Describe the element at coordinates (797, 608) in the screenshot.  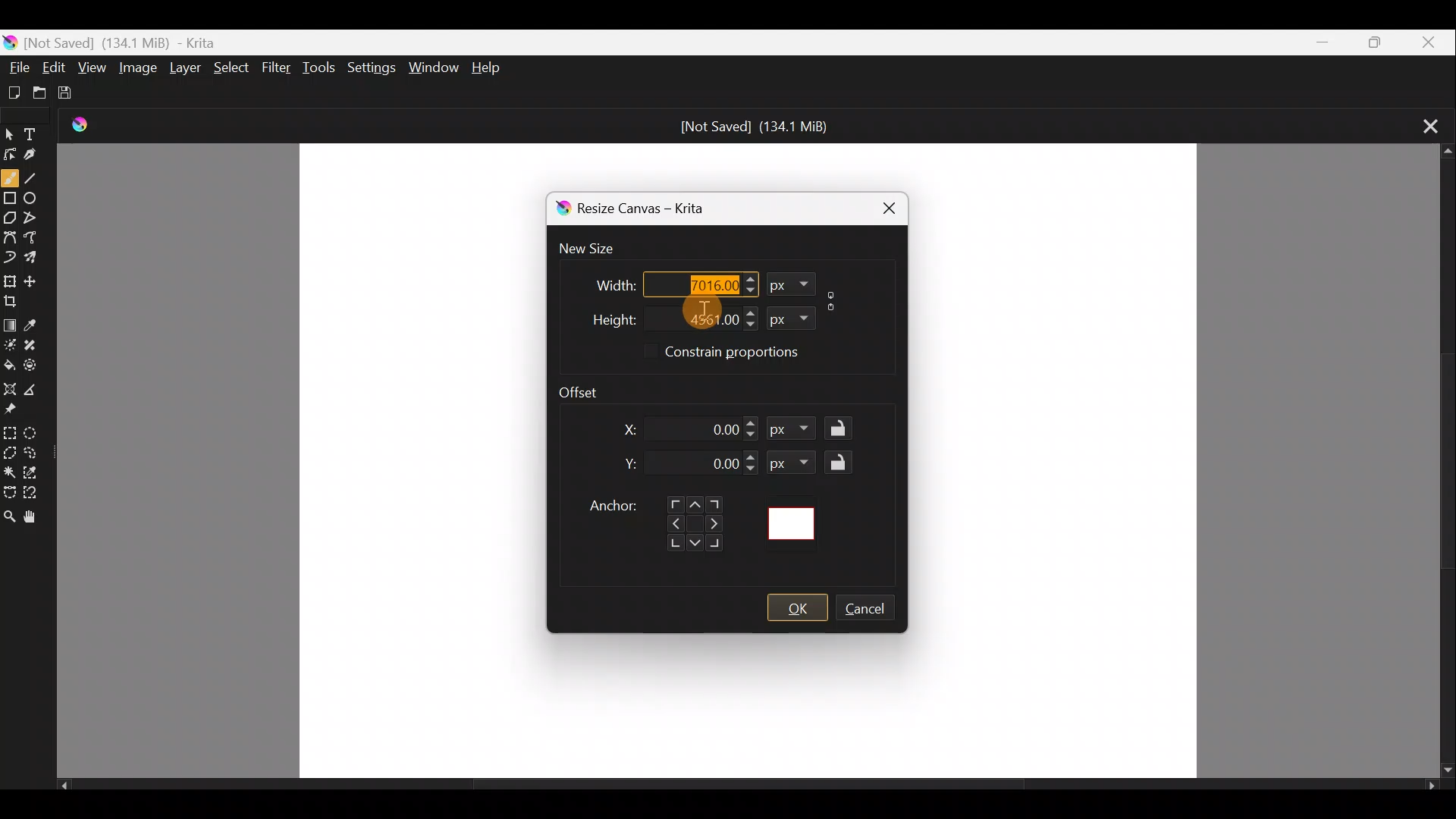
I see `OK` at that location.